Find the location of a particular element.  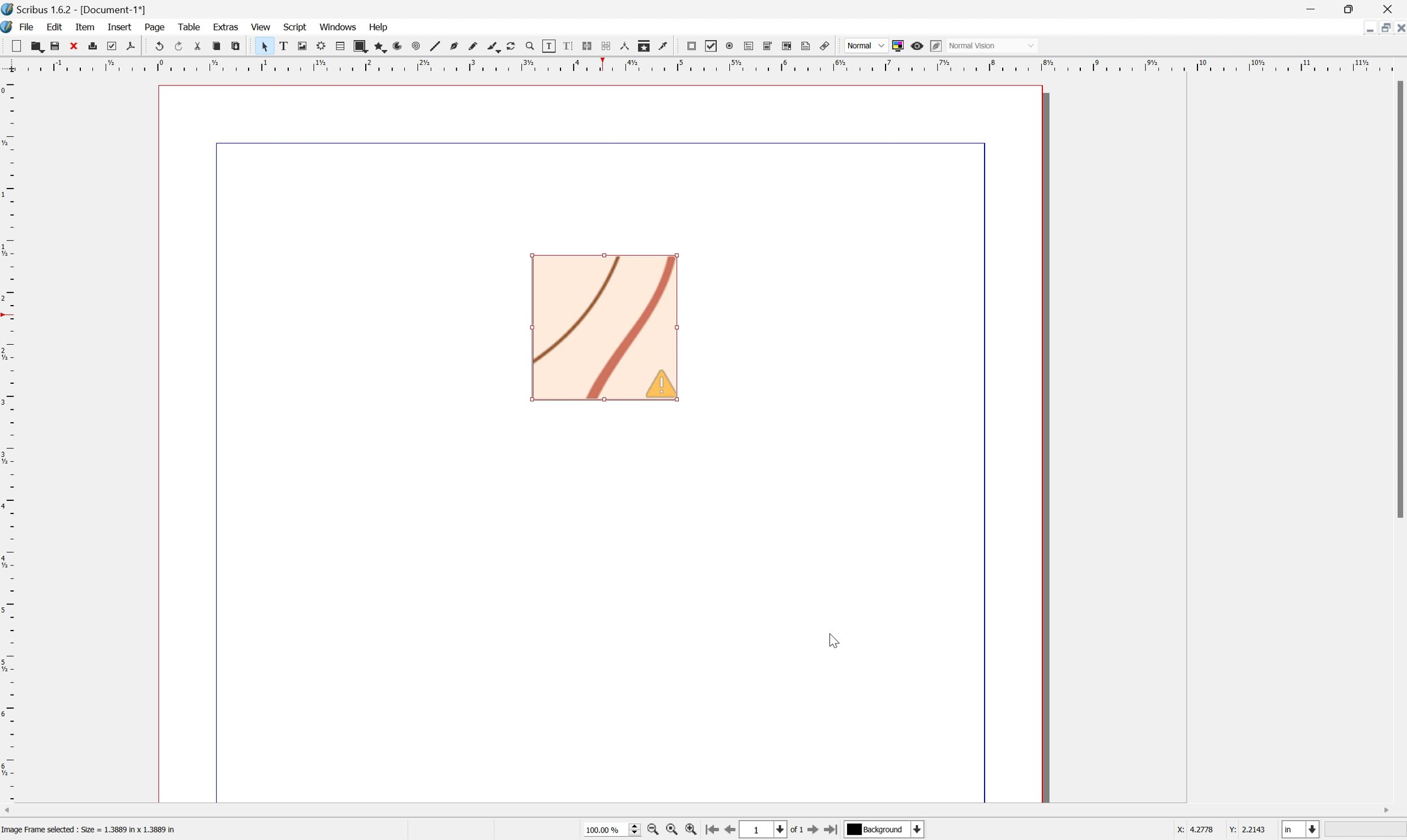

select current layer is located at coordinates (887, 830).